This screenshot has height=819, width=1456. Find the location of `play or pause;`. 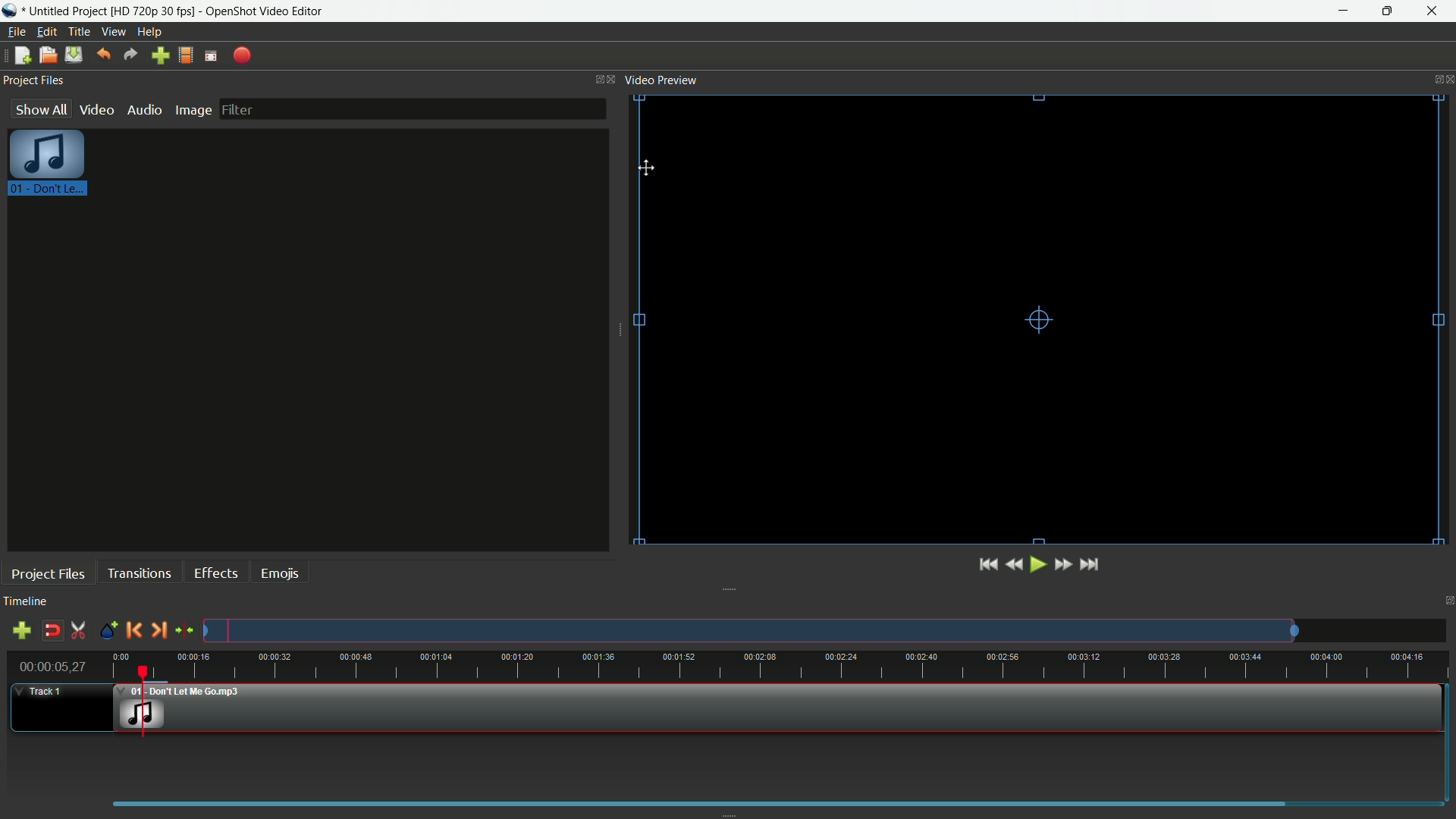

play or pause; is located at coordinates (1040, 565).